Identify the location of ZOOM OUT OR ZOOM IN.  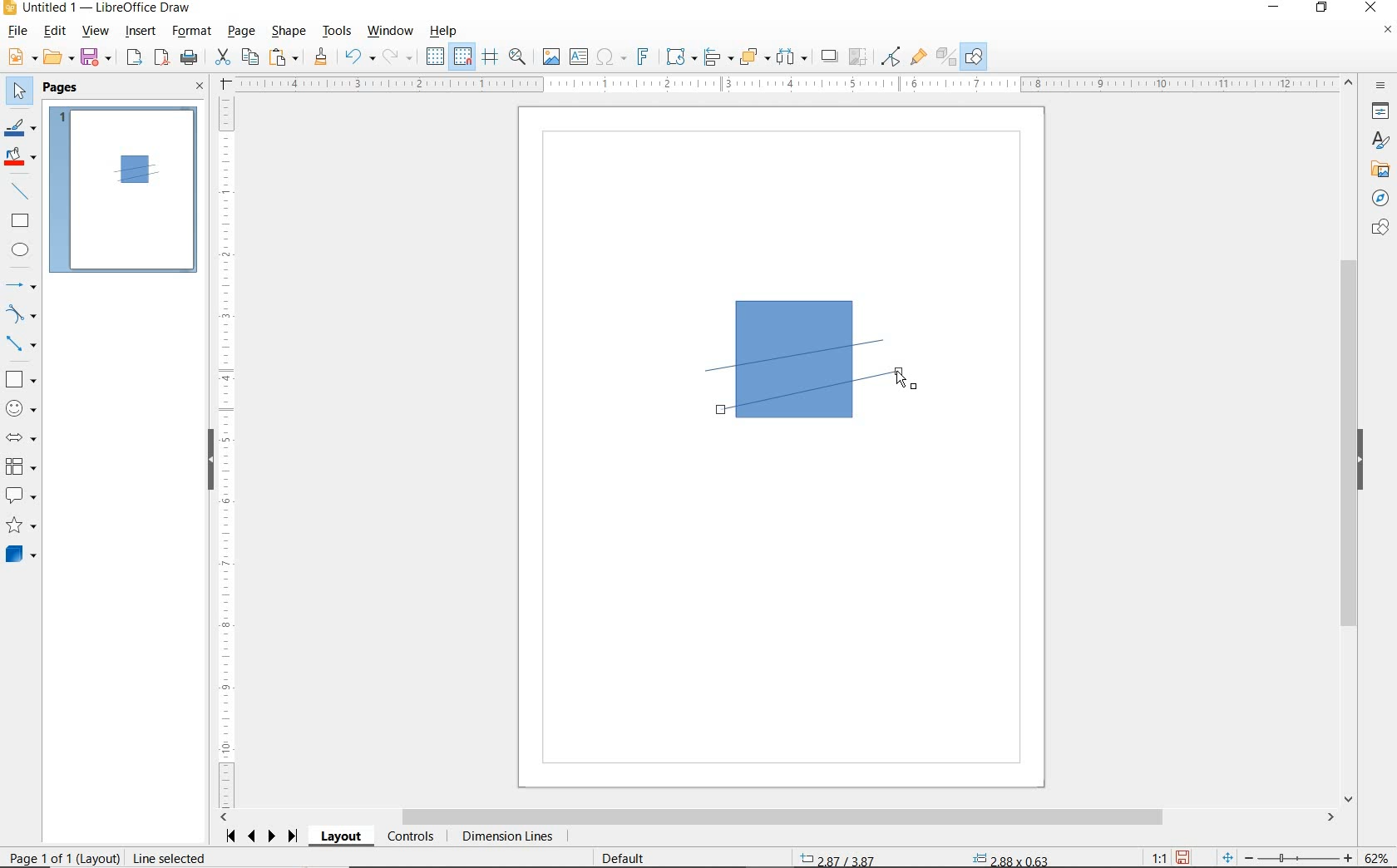
(1288, 855).